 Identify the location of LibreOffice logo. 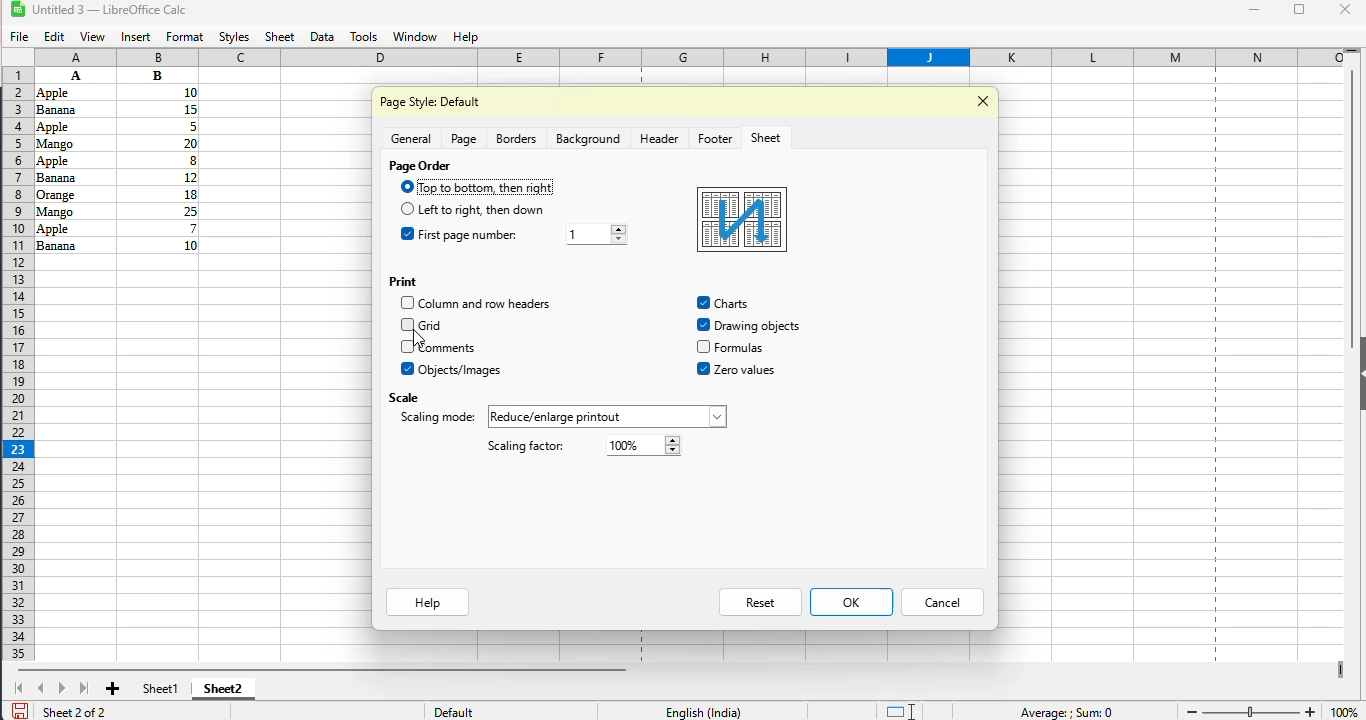
(29, 9).